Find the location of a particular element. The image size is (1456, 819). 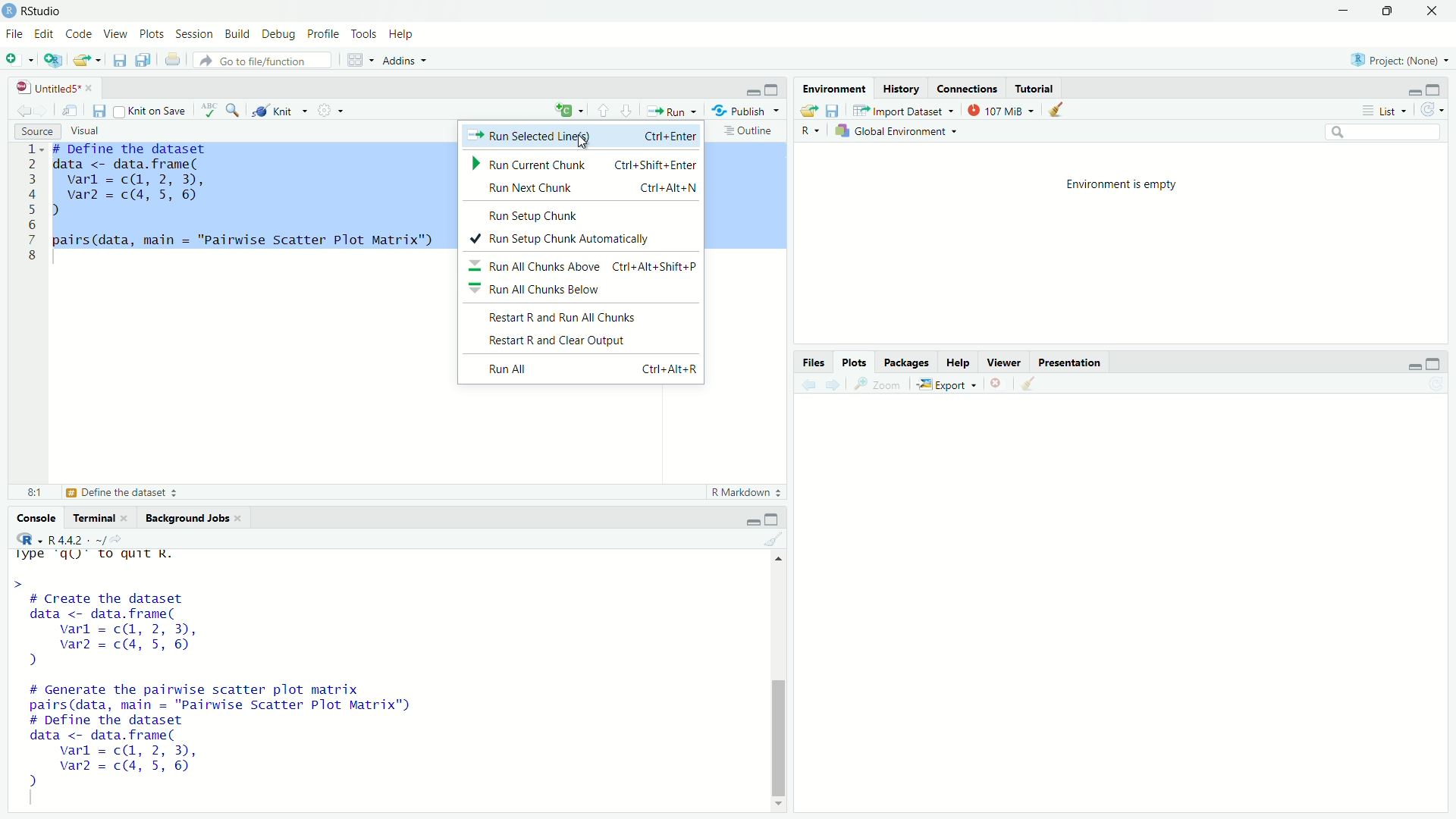

Restart R and Clear Output is located at coordinates (586, 344).